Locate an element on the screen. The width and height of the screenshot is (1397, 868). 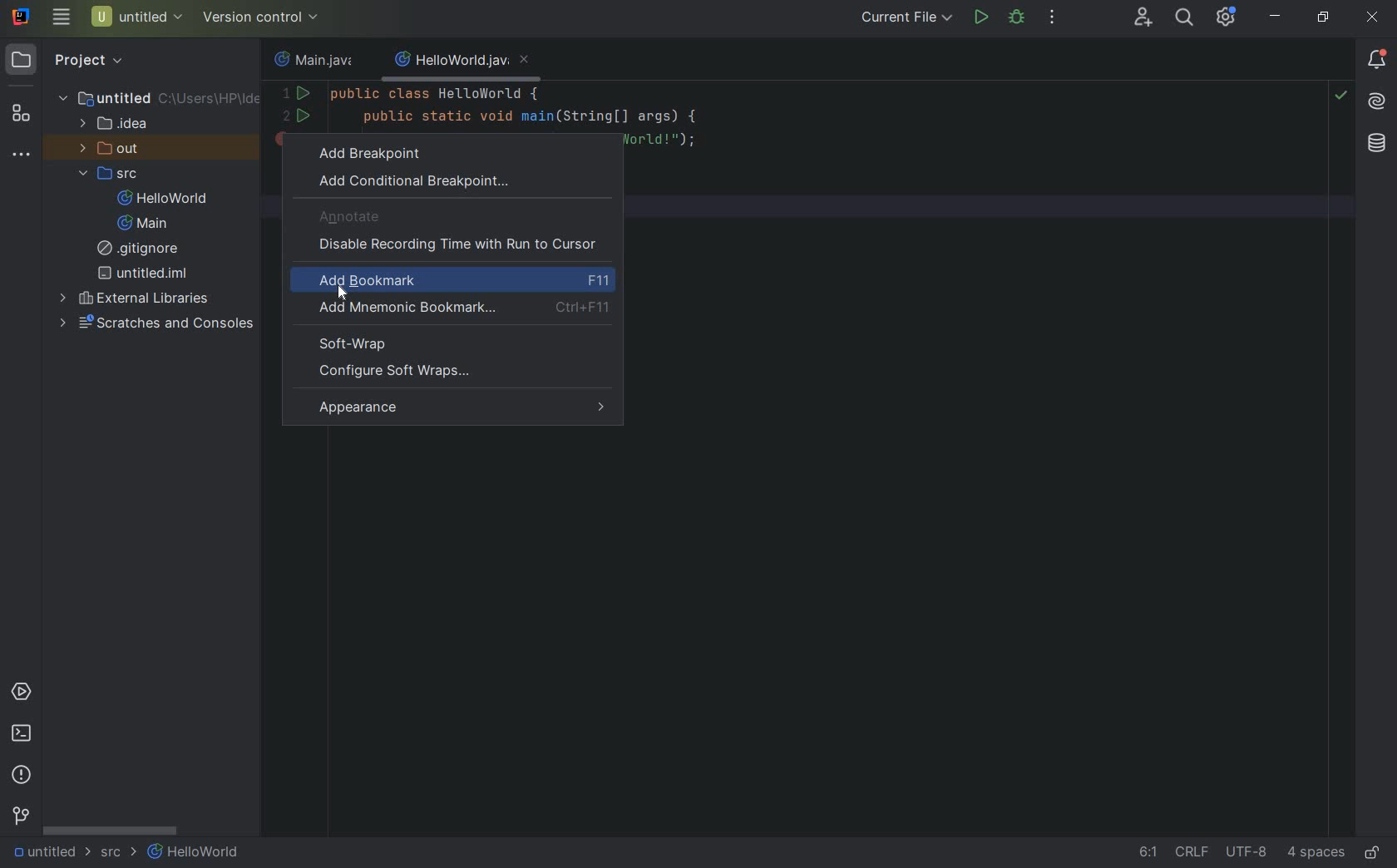
scrollbar is located at coordinates (109, 831).